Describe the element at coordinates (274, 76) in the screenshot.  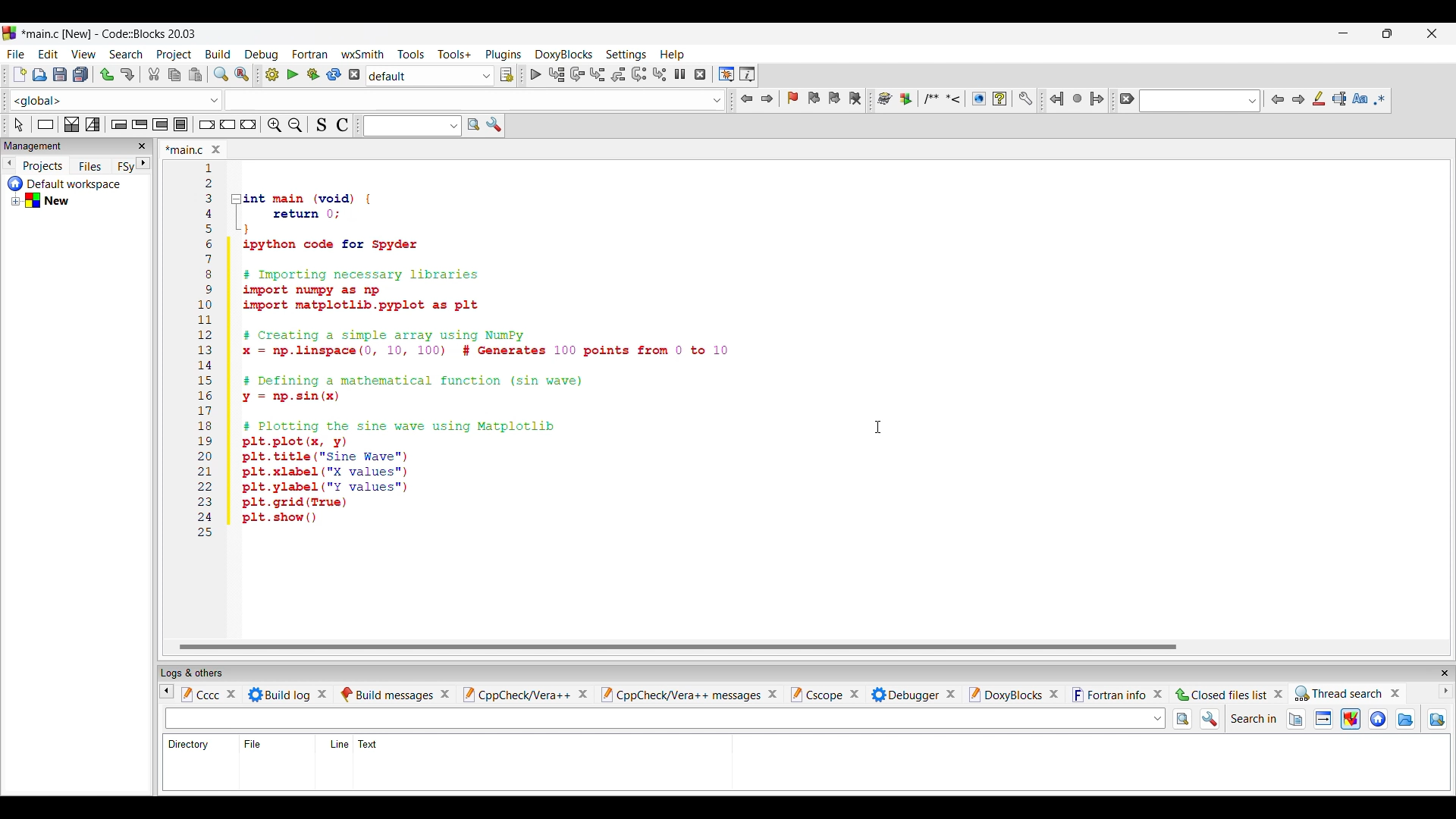
I see `Debug/Continue` at that location.